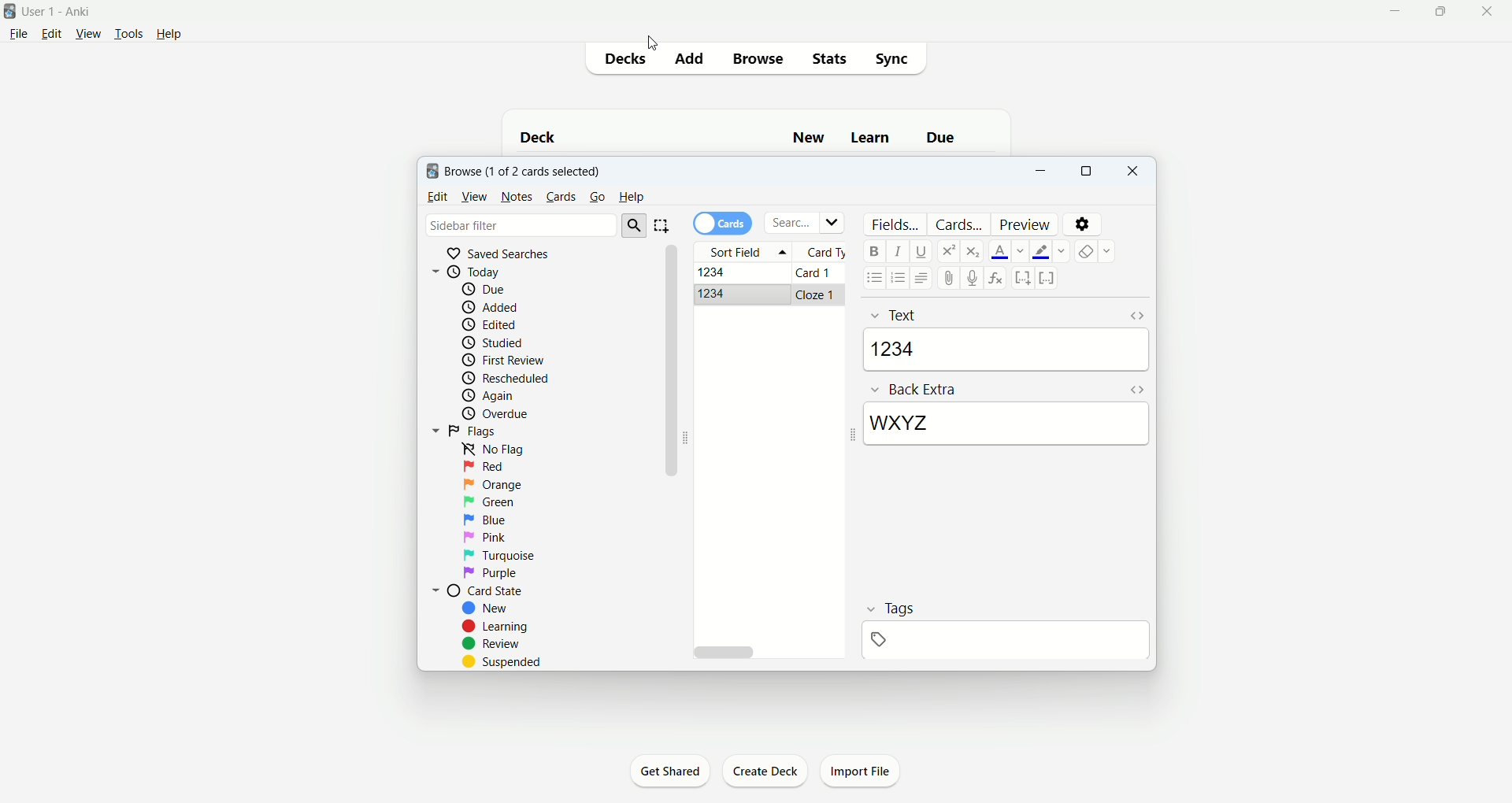 Image resolution: width=1512 pixels, height=803 pixels. Describe the element at coordinates (922, 277) in the screenshot. I see `alignment` at that location.